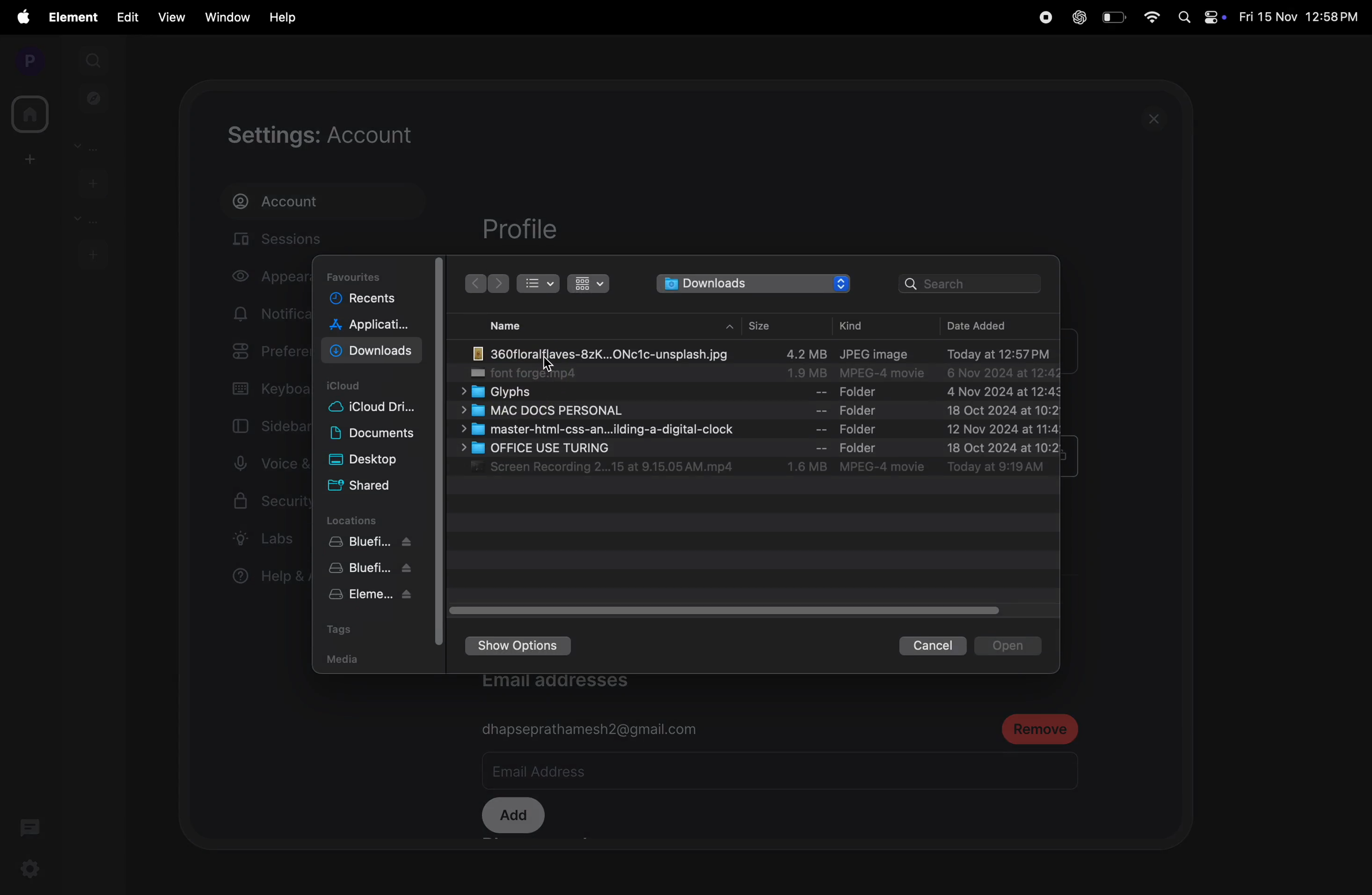 This screenshot has width=1372, height=895. I want to click on kind, so click(856, 324).